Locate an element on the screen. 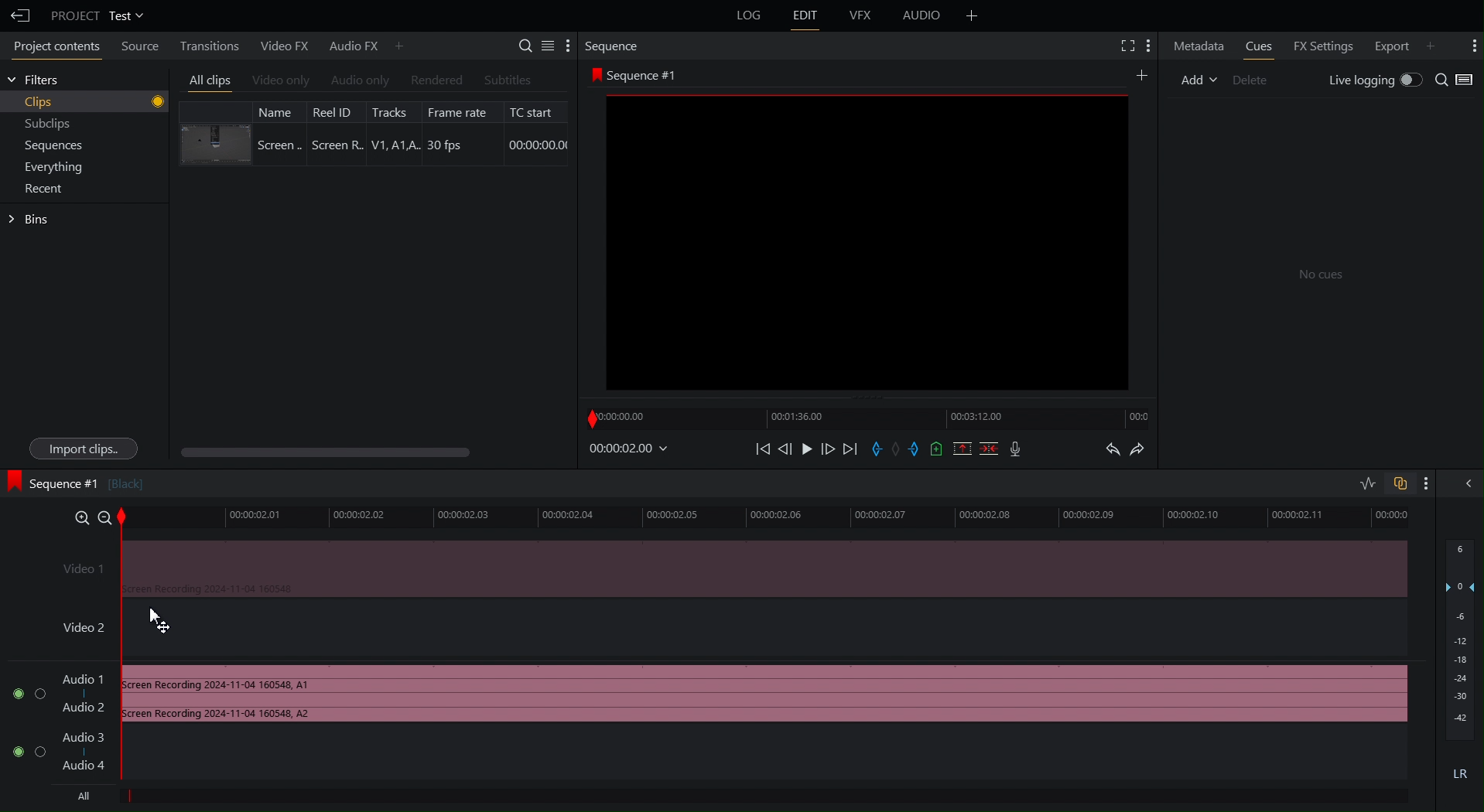 The height and width of the screenshot is (812, 1484). Project Contents is located at coordinates (56, 46).